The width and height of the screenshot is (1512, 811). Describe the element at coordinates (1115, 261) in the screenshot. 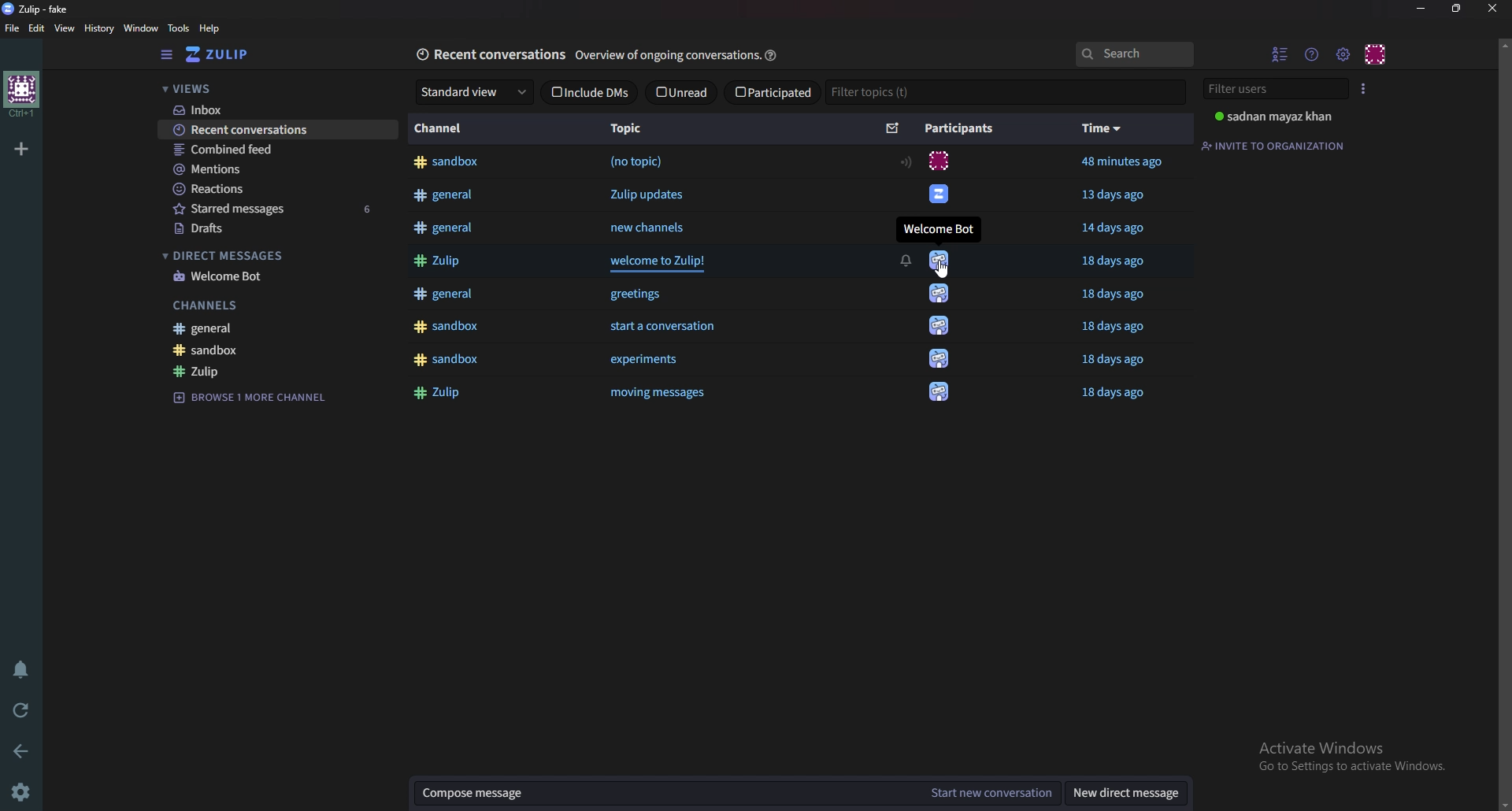

I see `18 days ago` at that location.